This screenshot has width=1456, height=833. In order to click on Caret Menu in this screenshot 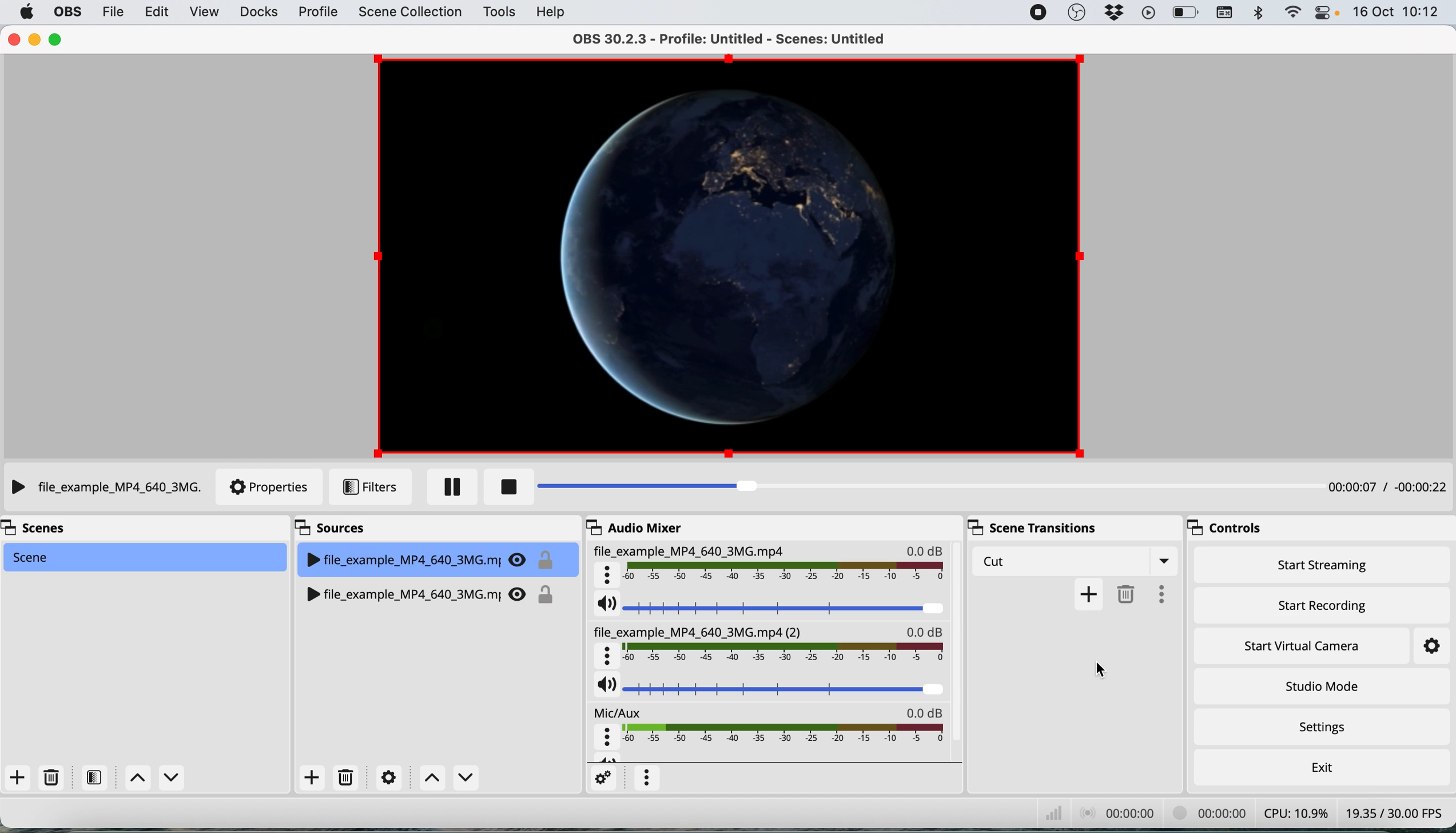, I will do `click(1160, 562)`.